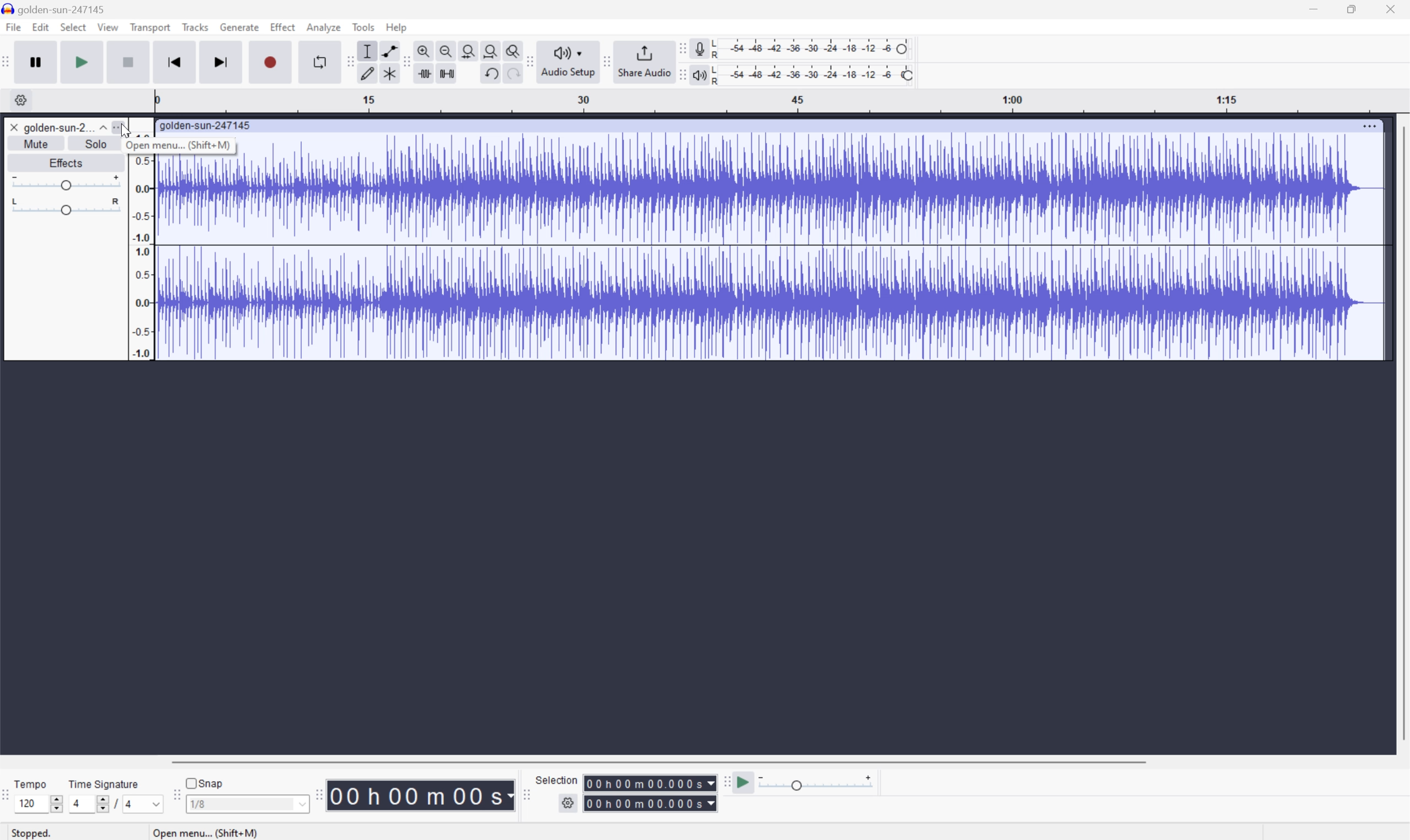 The image size is (1410, 840). Describe the element at coordinates (368, 74) in the screenshot. I see `Draw tool` at that location.